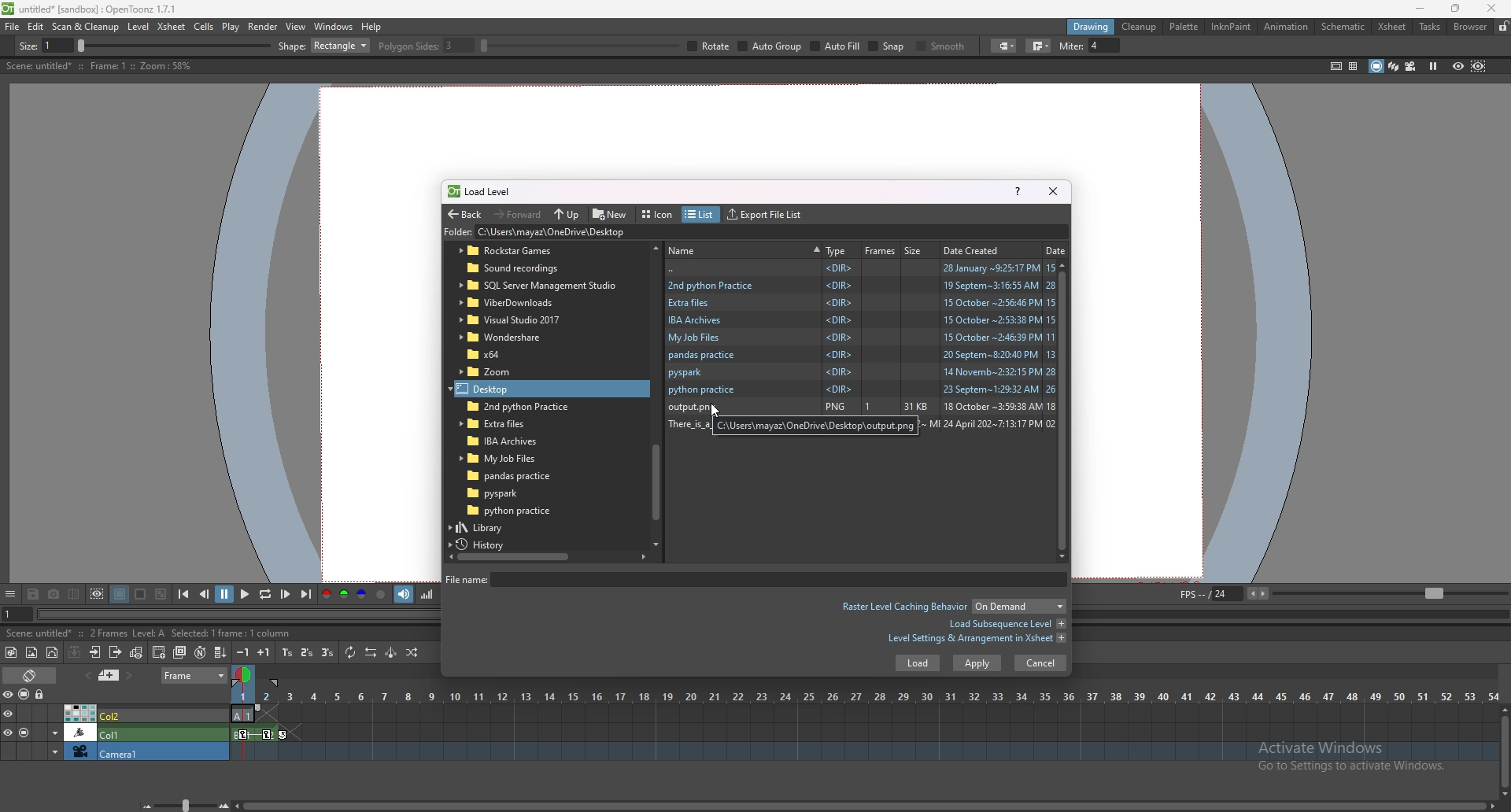 Image resolution: width=1511 pixels, height=812 pixels. Describe the element at coordinates (1341, 592) in the screenshot. I see `fps` at that location.